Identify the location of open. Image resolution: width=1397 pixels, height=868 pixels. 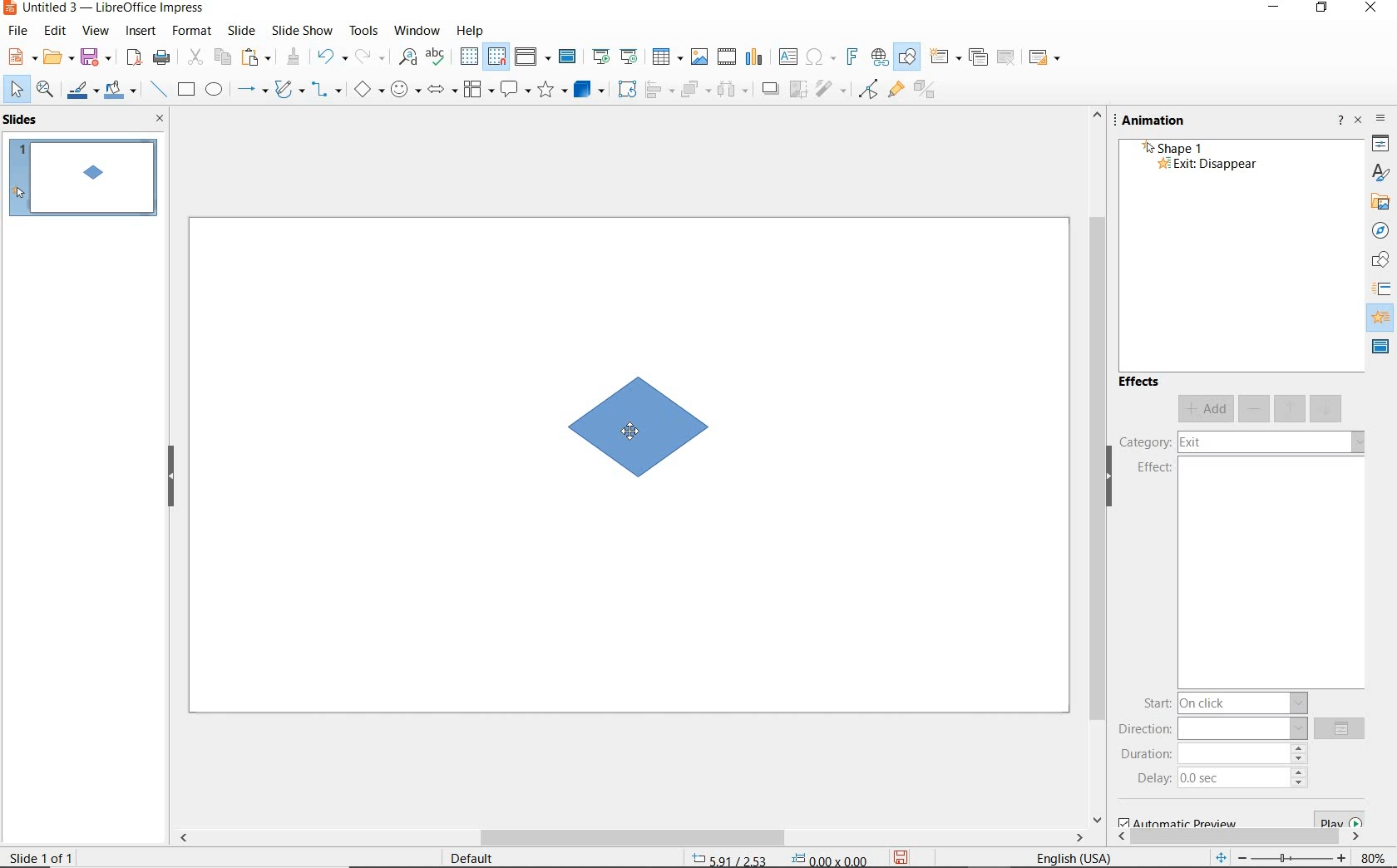
(57, 58).